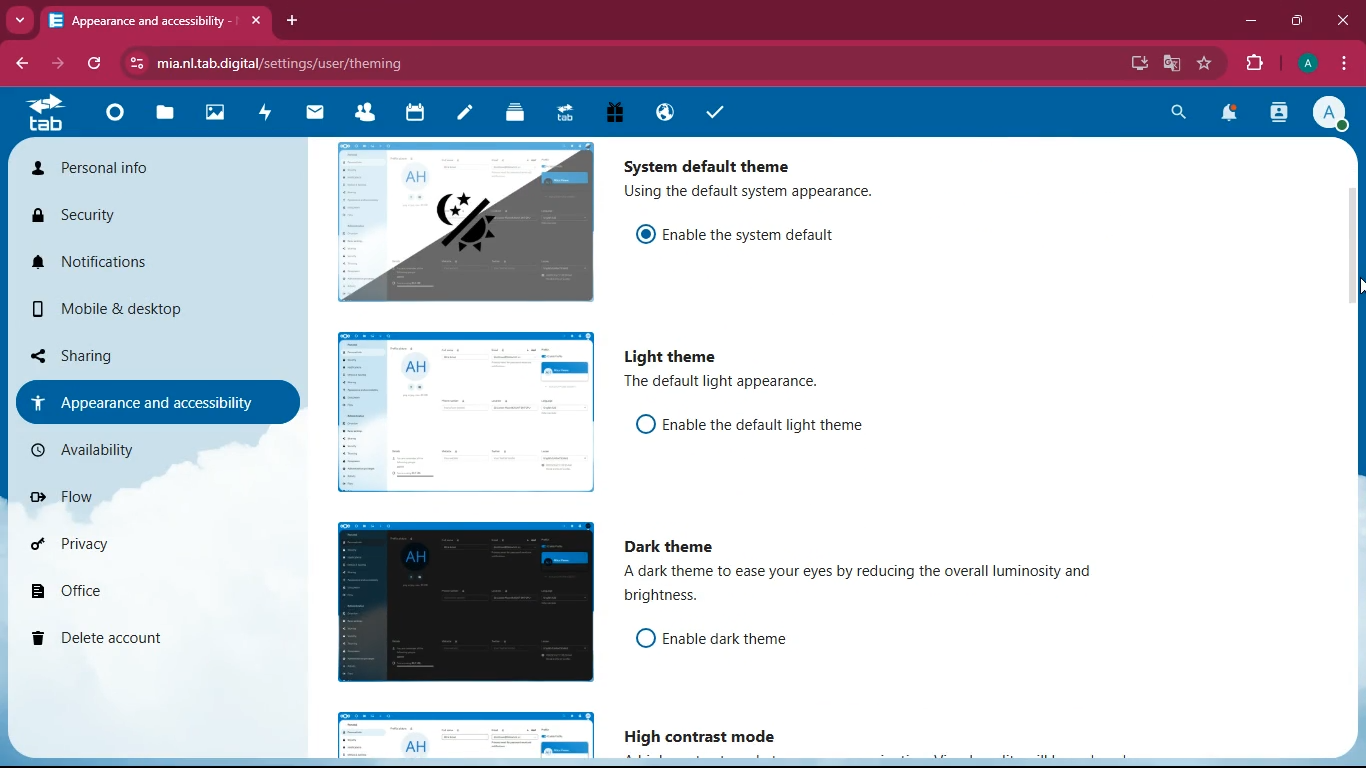 The image size is (1366, 768). What do you see at coordinates (747, 640) in the screenshot?
I see `enable` at bounding box center [747, 640].